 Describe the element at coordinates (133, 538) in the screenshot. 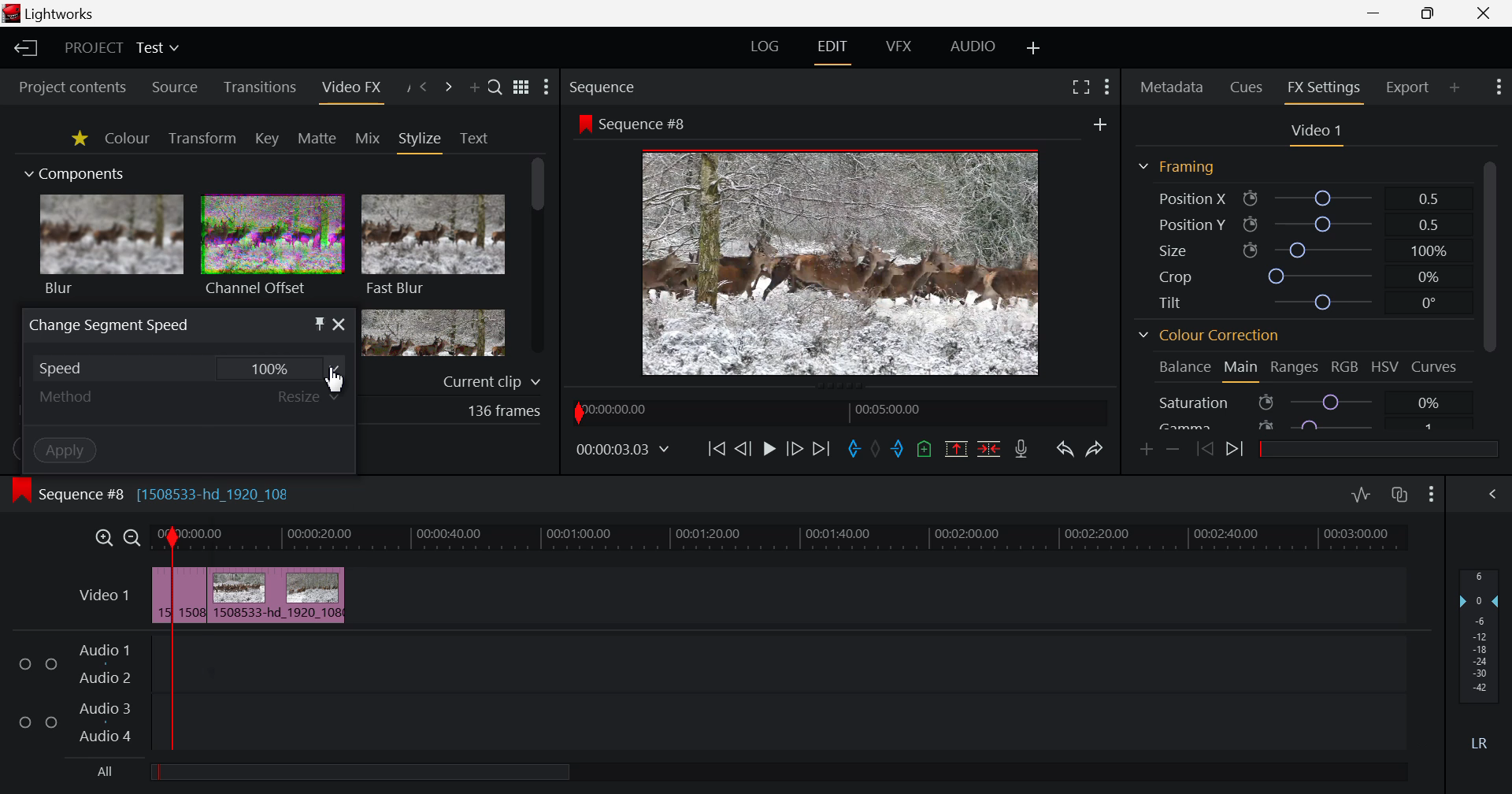

I see `Timeline Zoom Out` at that location.